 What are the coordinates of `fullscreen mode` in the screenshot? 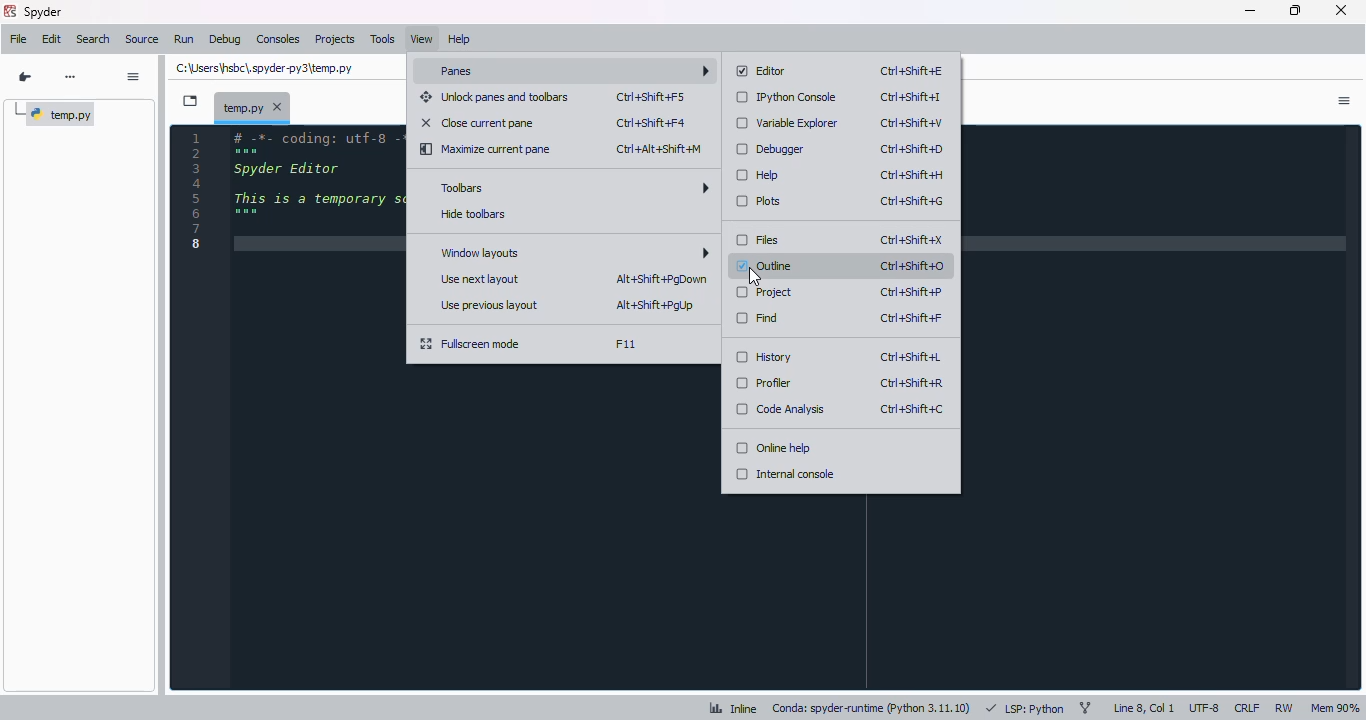 It's located at (471, 344).